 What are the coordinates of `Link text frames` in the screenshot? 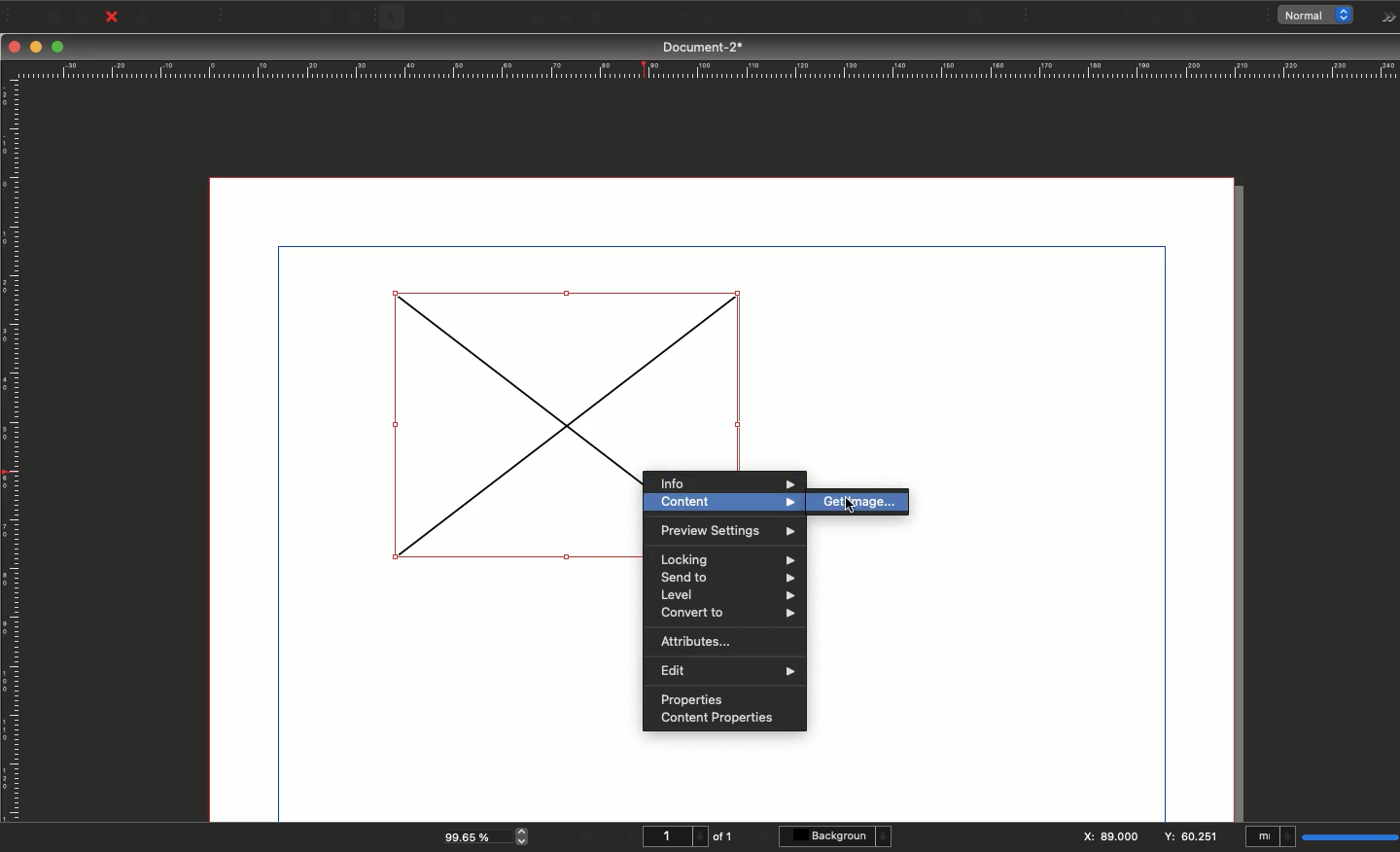 It's located at (880, 17).